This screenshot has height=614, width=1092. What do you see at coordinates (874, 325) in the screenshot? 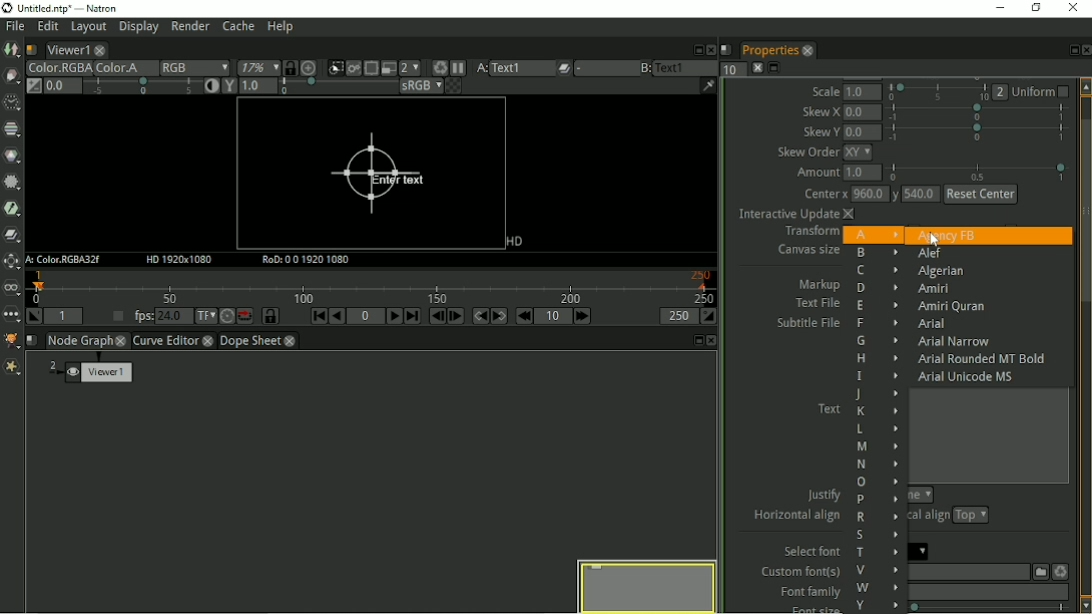
I see `F` at bounding box center [874, 325].